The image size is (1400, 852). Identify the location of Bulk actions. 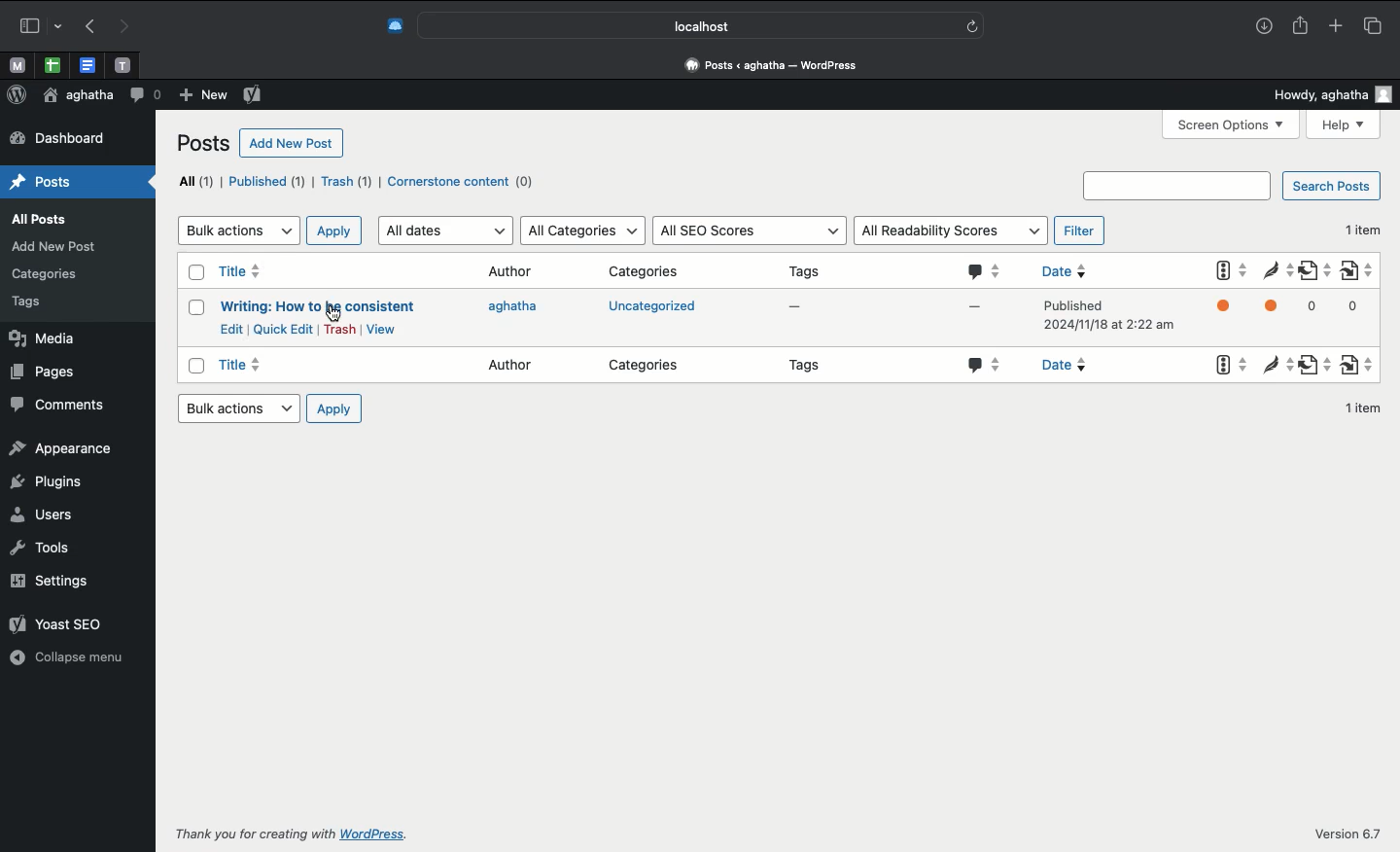
(242, 231).